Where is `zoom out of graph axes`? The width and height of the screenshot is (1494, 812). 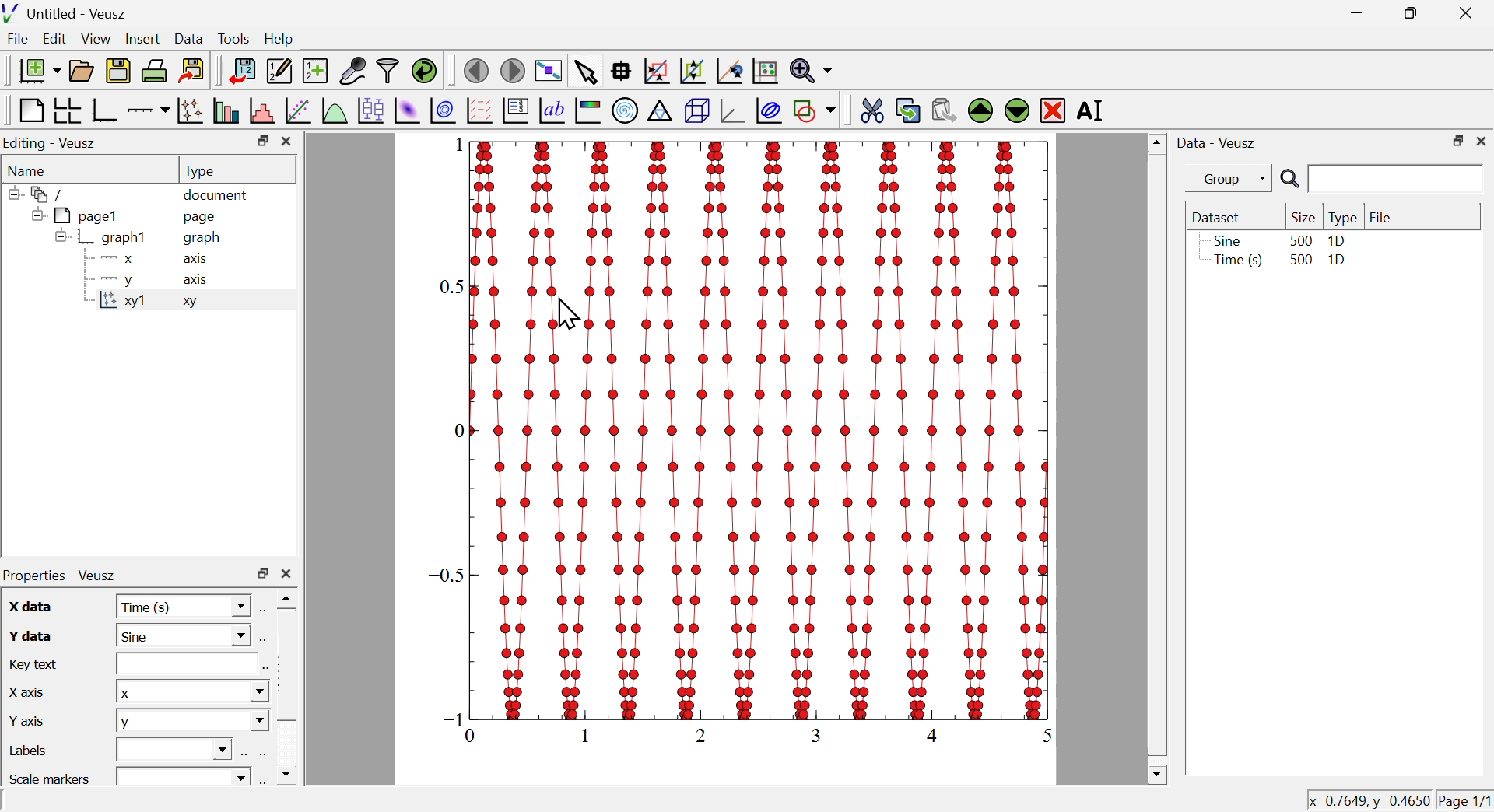
zoom out of graph axes is located at coordinates (693, 71).